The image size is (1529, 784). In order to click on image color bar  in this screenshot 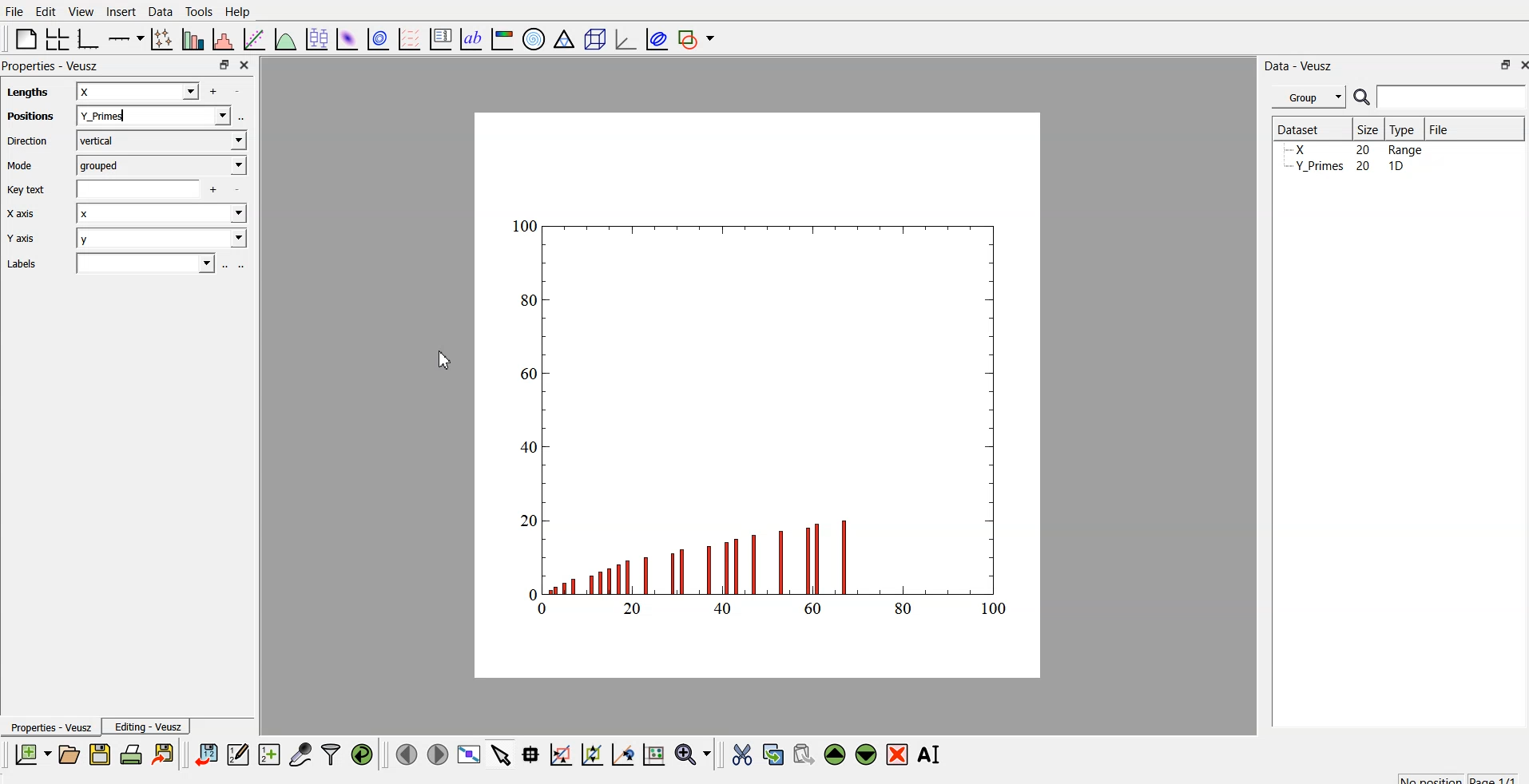, I will do `click(502, 41)`.